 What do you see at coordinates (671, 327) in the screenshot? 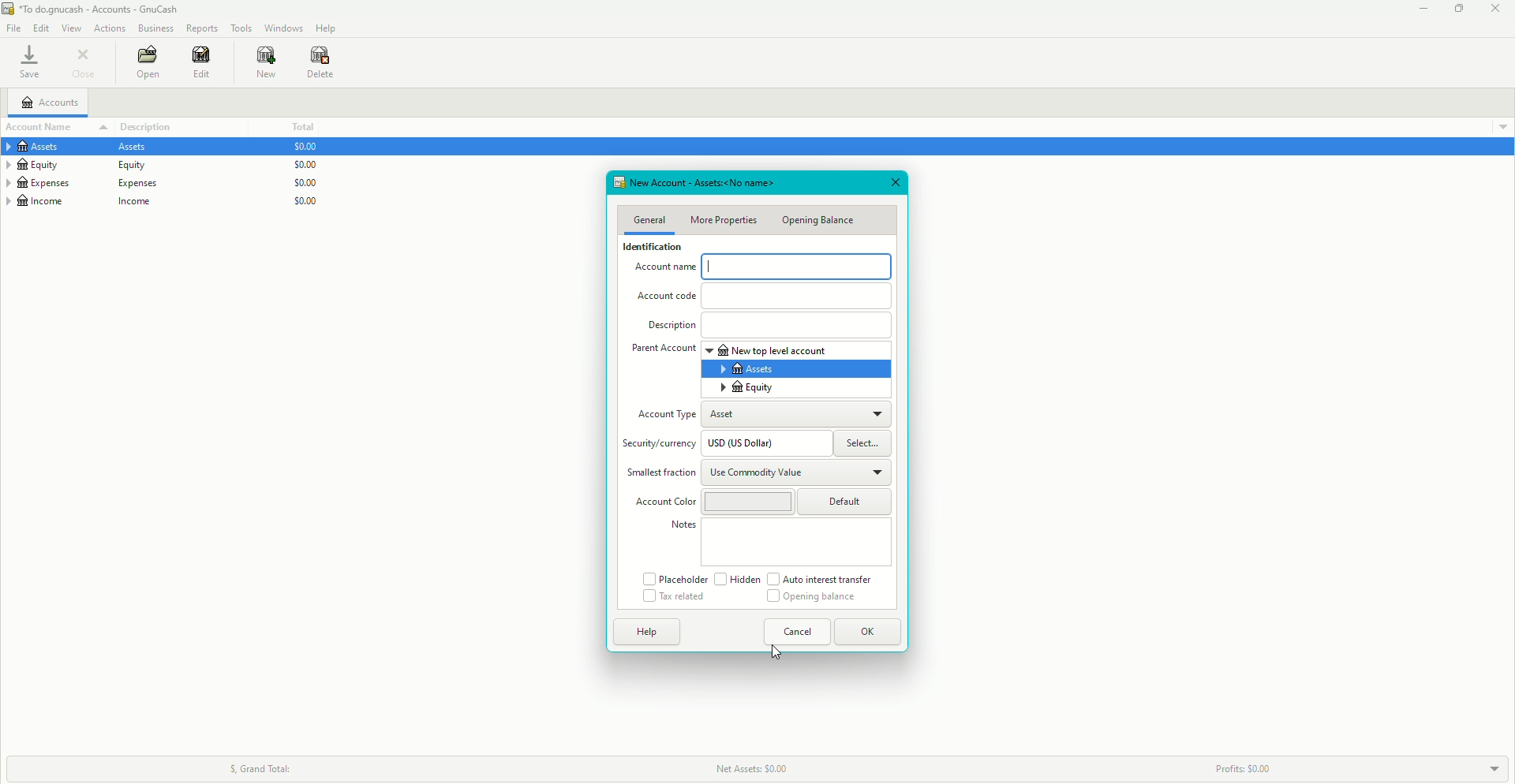
I see `Description` at bounding box center [671, 327].